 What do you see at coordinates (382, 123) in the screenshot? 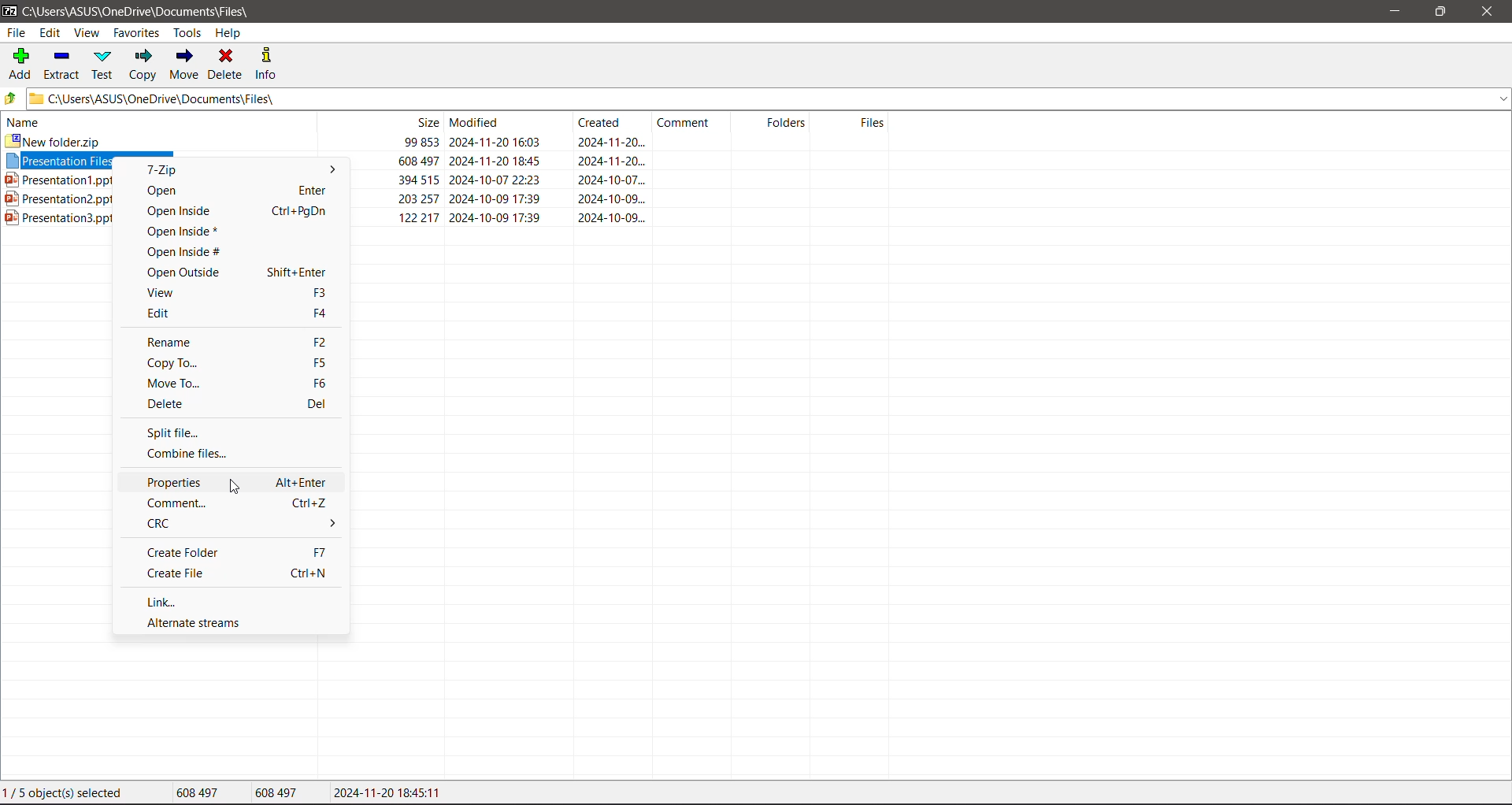
I see `Size` at bounding box center [382, 123].